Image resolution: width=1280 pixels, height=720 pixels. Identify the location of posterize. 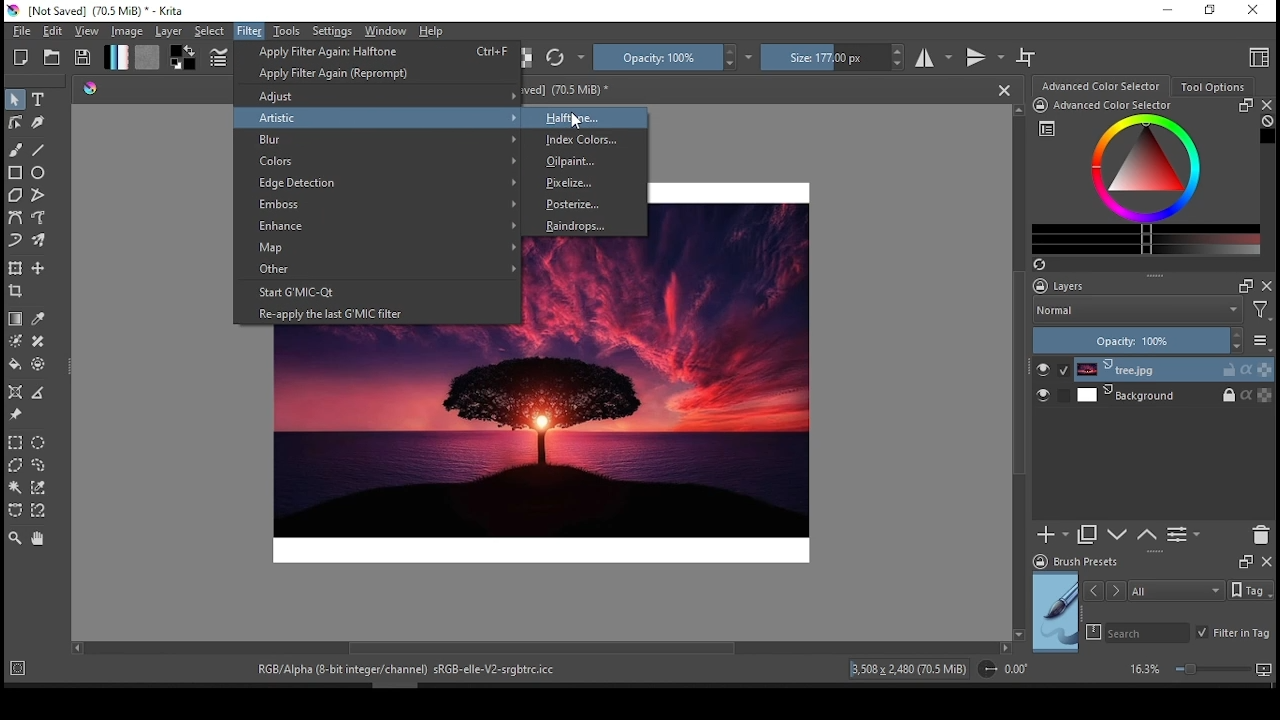
(584, 203).